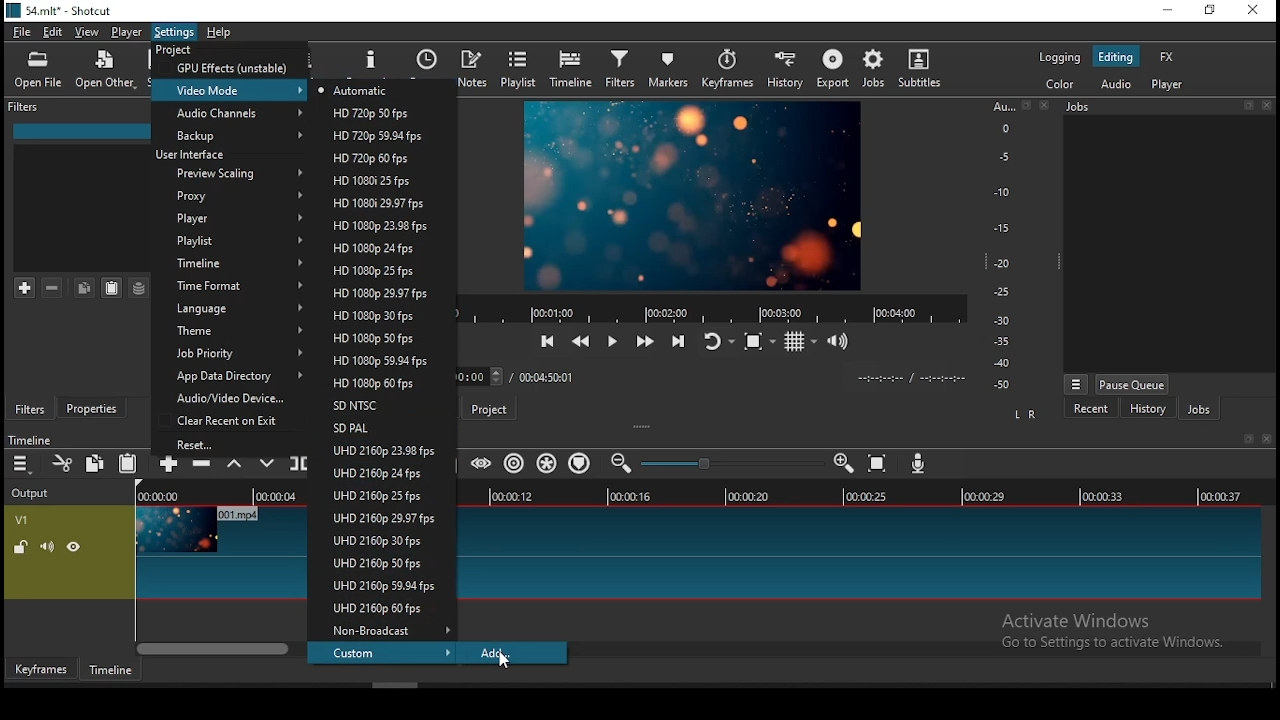 This screenshot has width=1280, height=720. I want to click on reset, so click(232, 445).